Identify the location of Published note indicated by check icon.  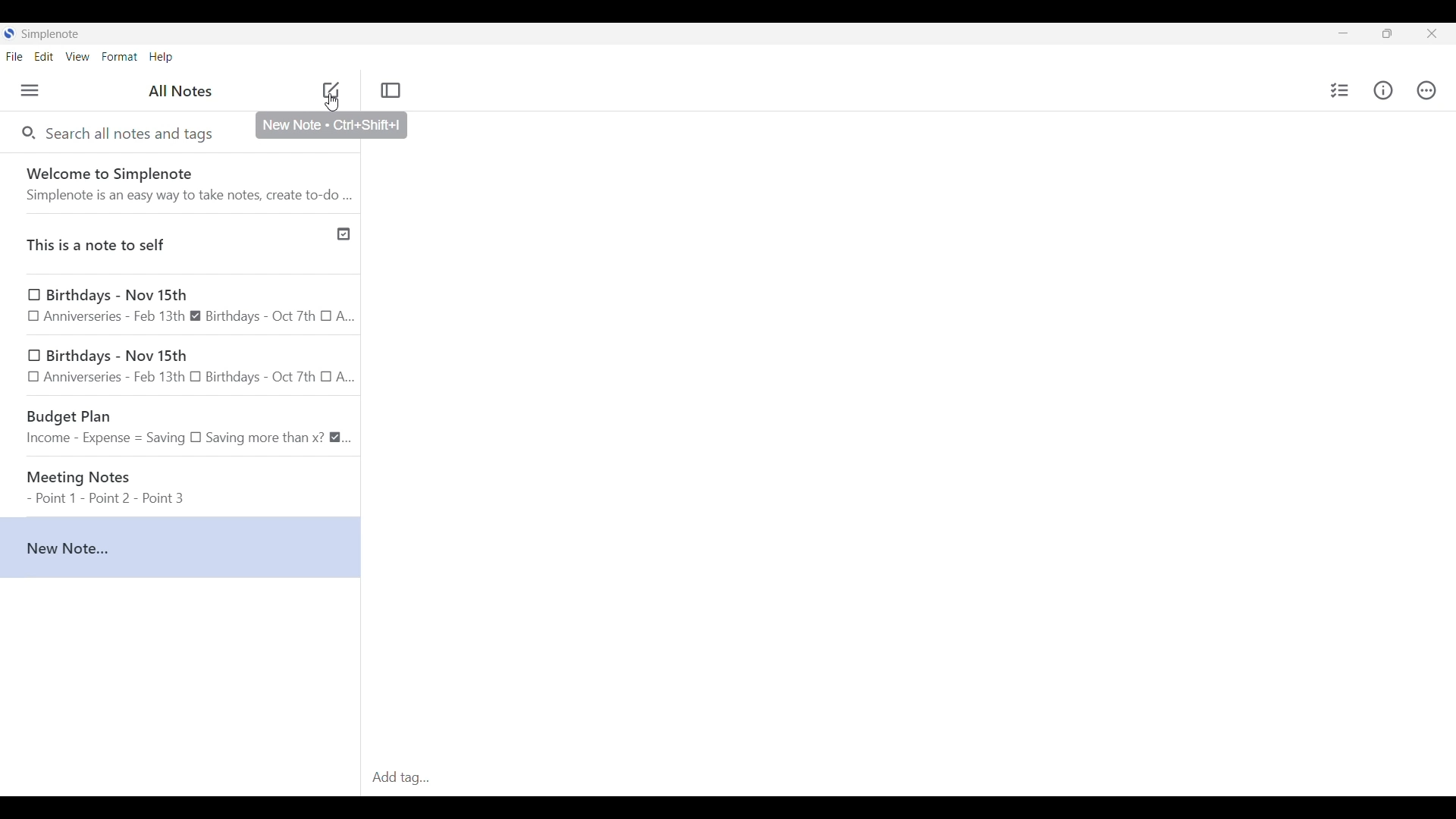
(181, 241).